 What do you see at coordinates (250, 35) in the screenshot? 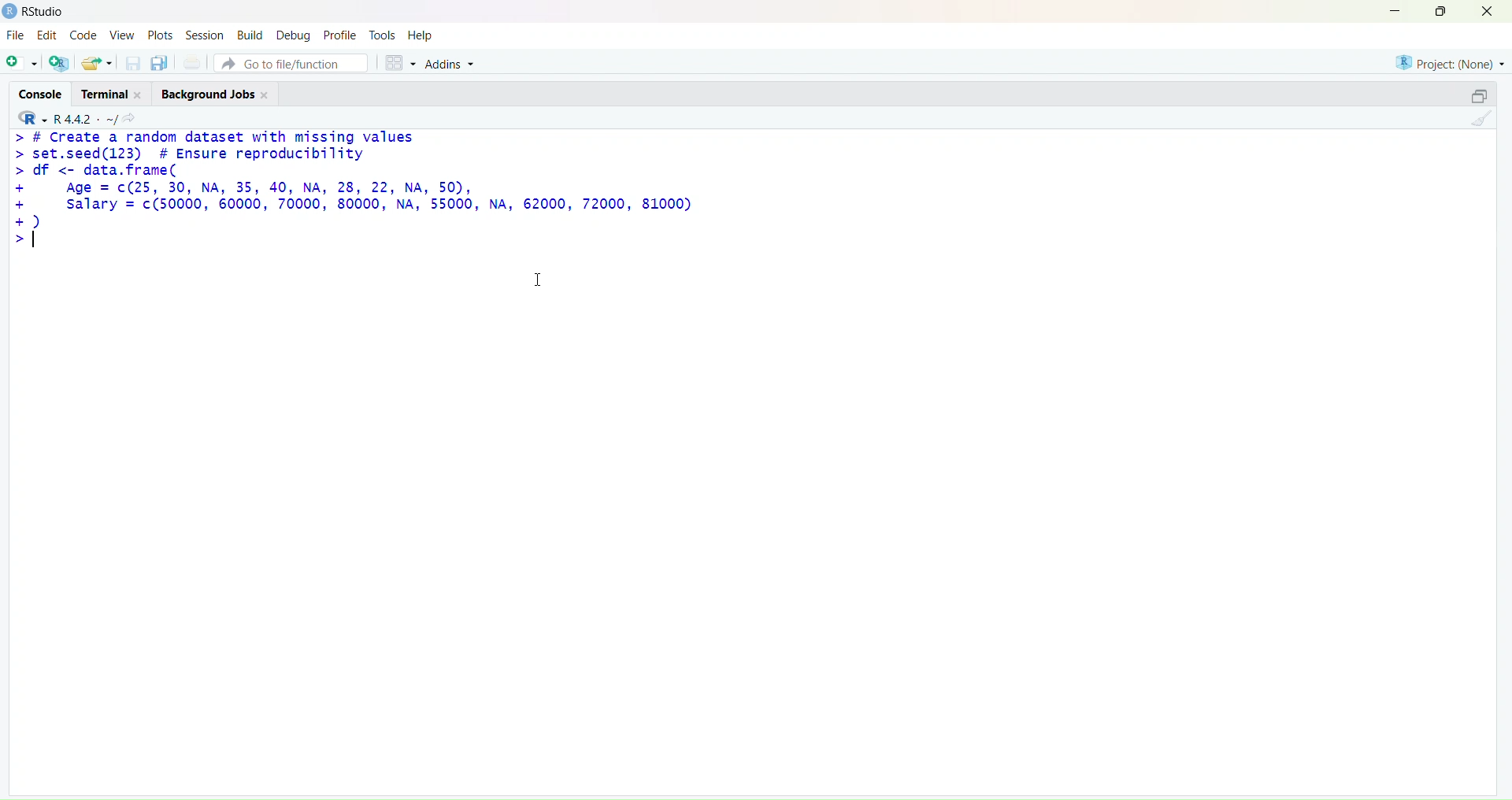
I see `build` at bounding box center [250, 35].